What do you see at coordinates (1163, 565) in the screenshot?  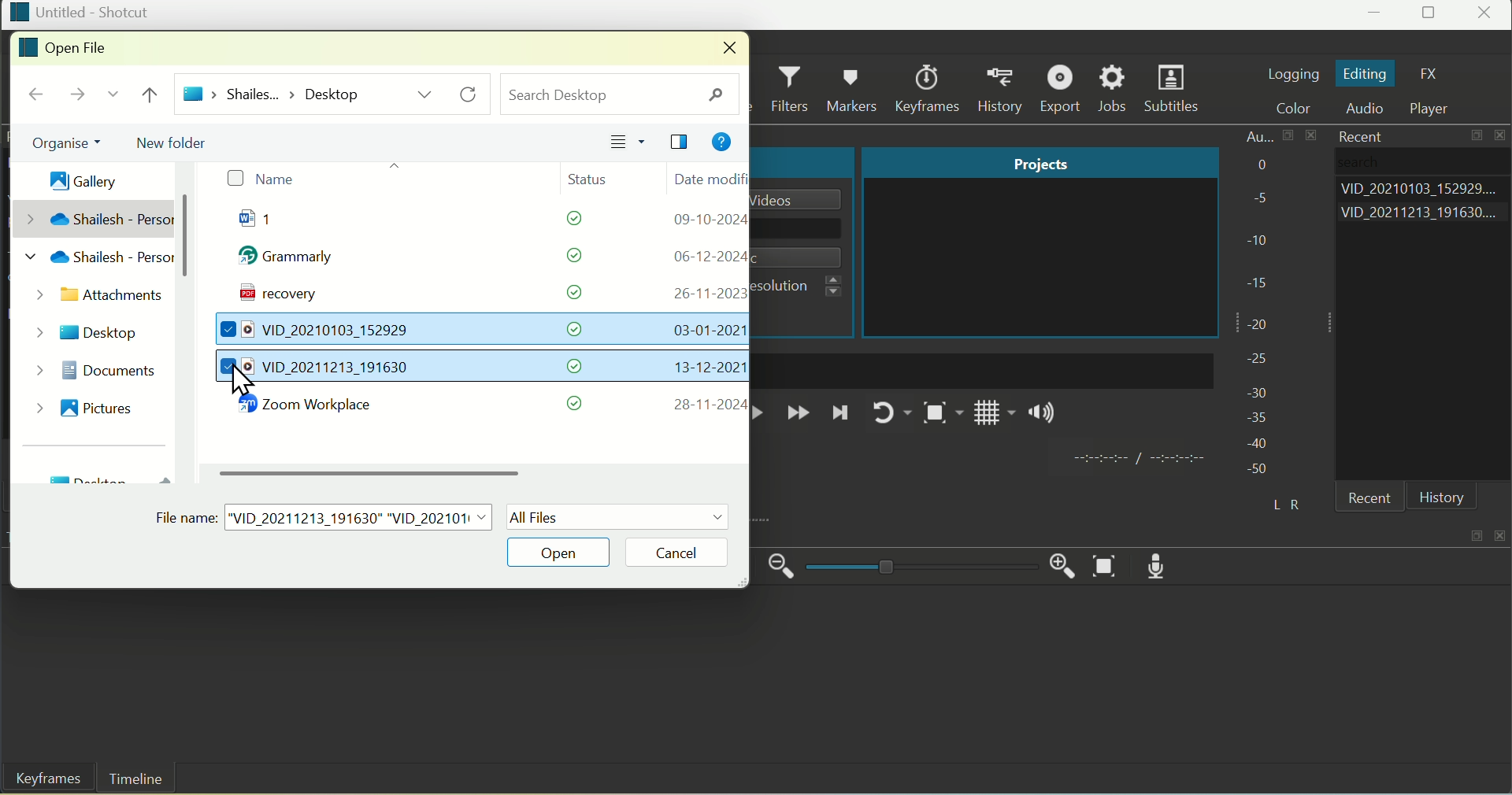 I see `Mic` at bounding box center [1163, 565].